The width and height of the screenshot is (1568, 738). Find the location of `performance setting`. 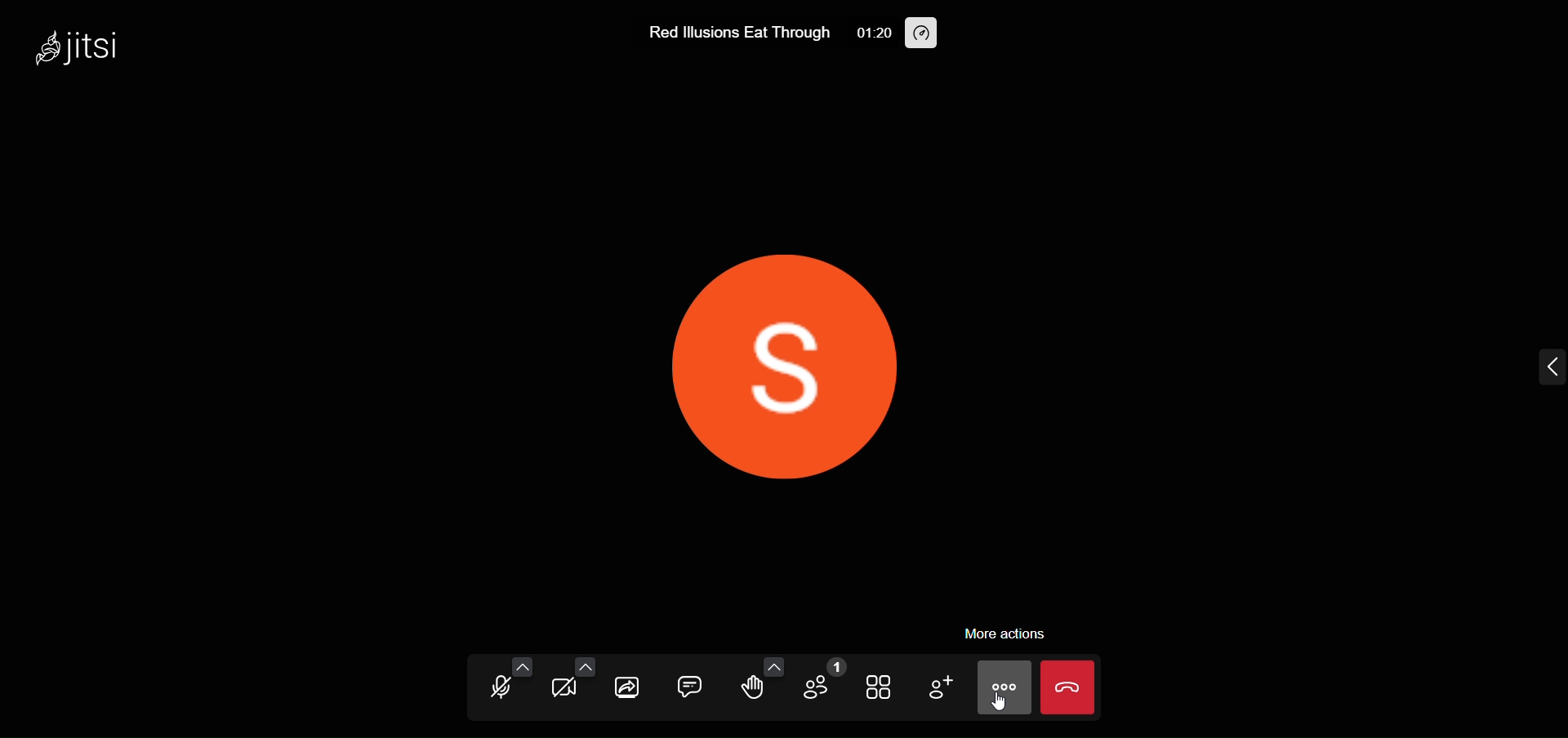

performance setting is located at coordinates (920, 33).